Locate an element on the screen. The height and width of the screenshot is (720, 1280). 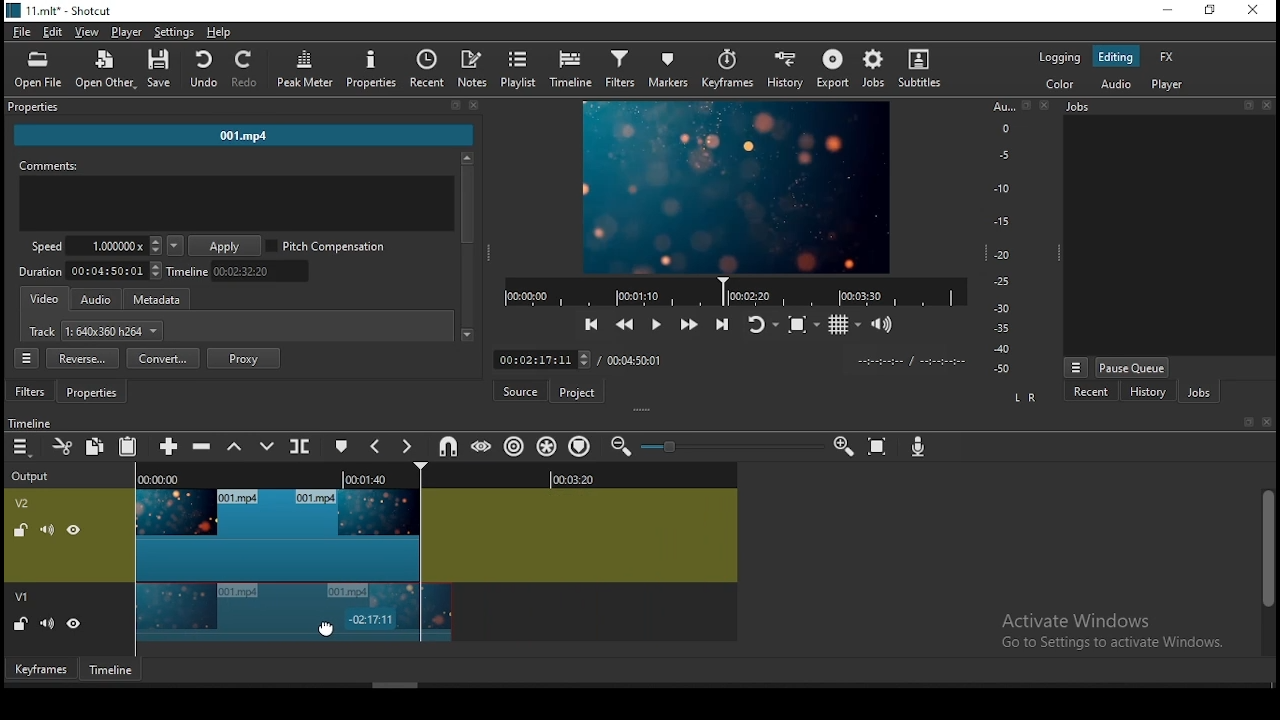
split at playhead is located at coordinates (302, 446).